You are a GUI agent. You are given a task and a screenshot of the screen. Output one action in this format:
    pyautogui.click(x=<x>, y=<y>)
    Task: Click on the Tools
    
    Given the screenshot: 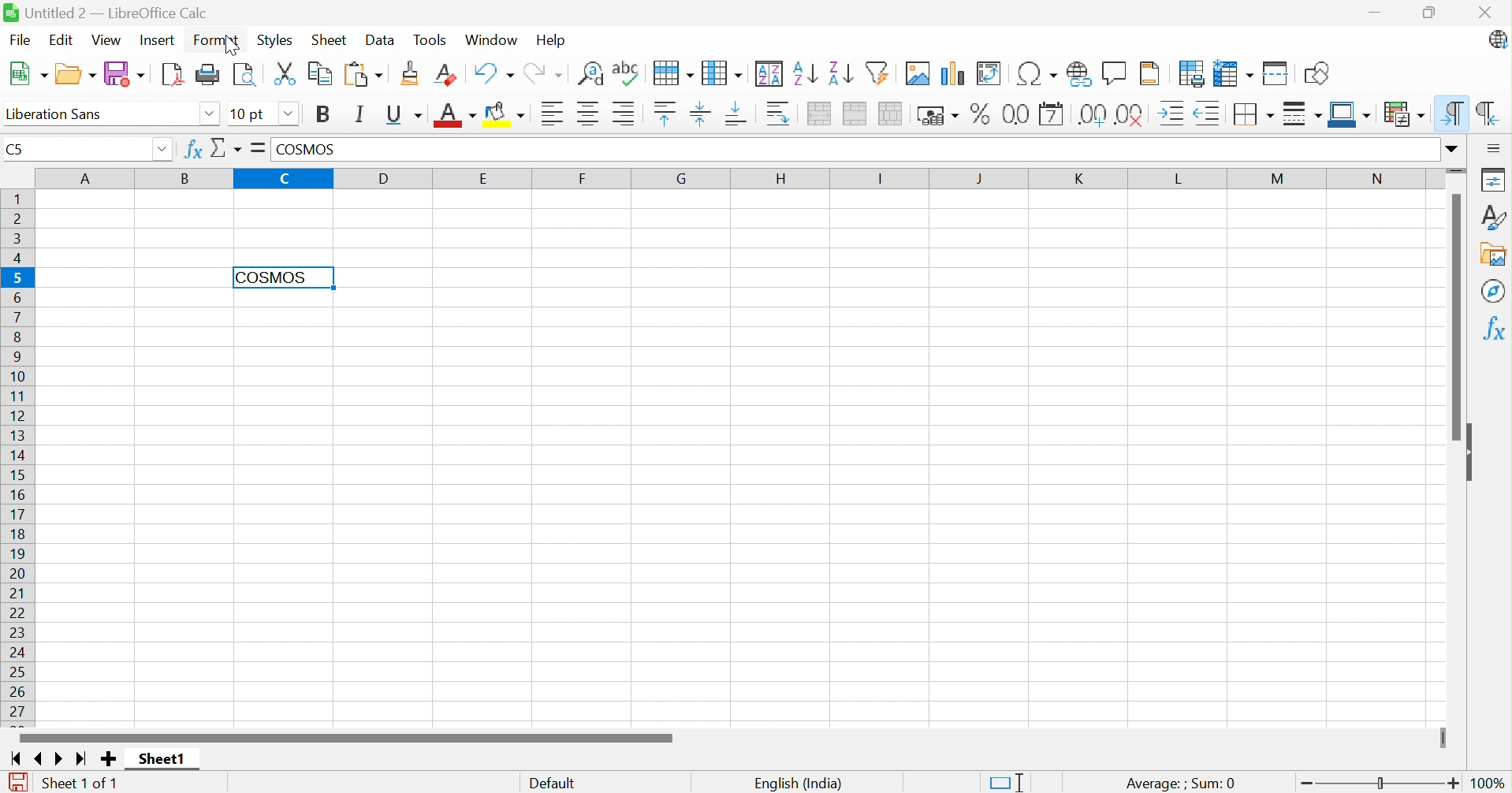 What is the action you would take?
    pyautogui.click(x=435, y=38)
    